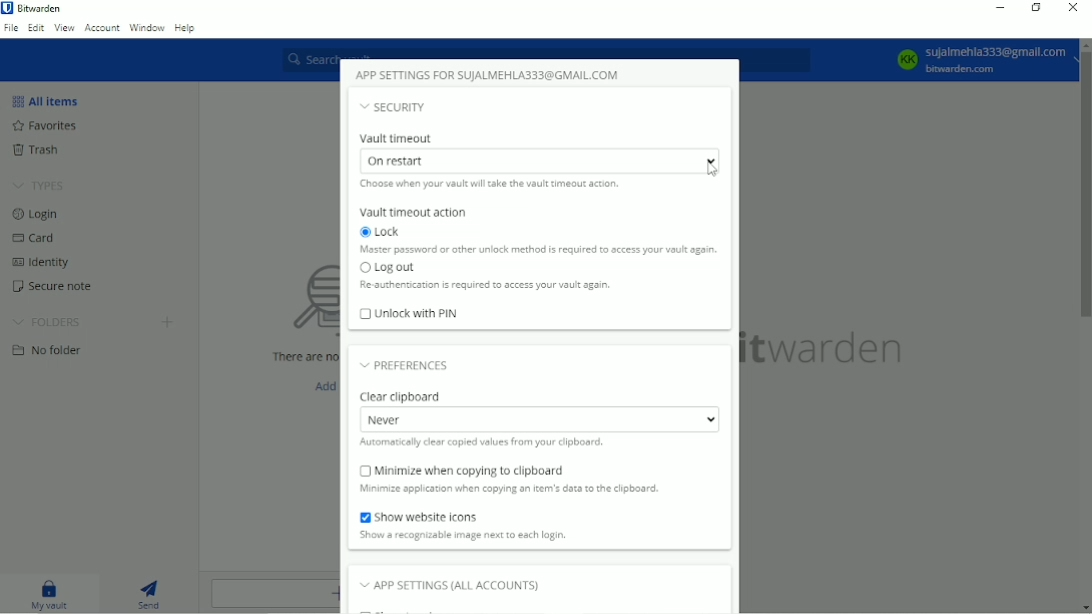 This screenshot has width=1092, height=614. I want to click on Account, so click(102, 29).